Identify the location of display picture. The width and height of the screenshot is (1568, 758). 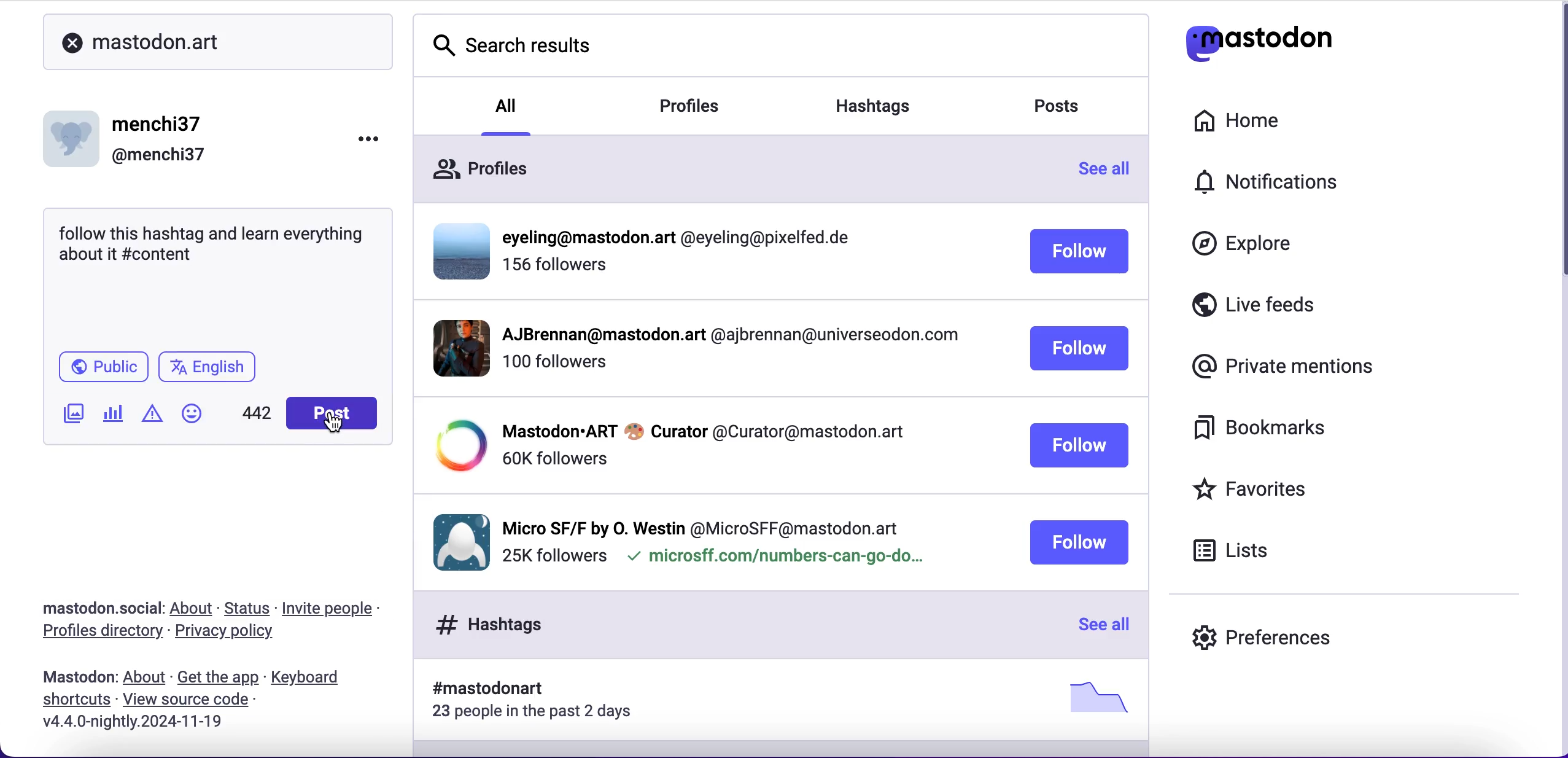
(74, 135).